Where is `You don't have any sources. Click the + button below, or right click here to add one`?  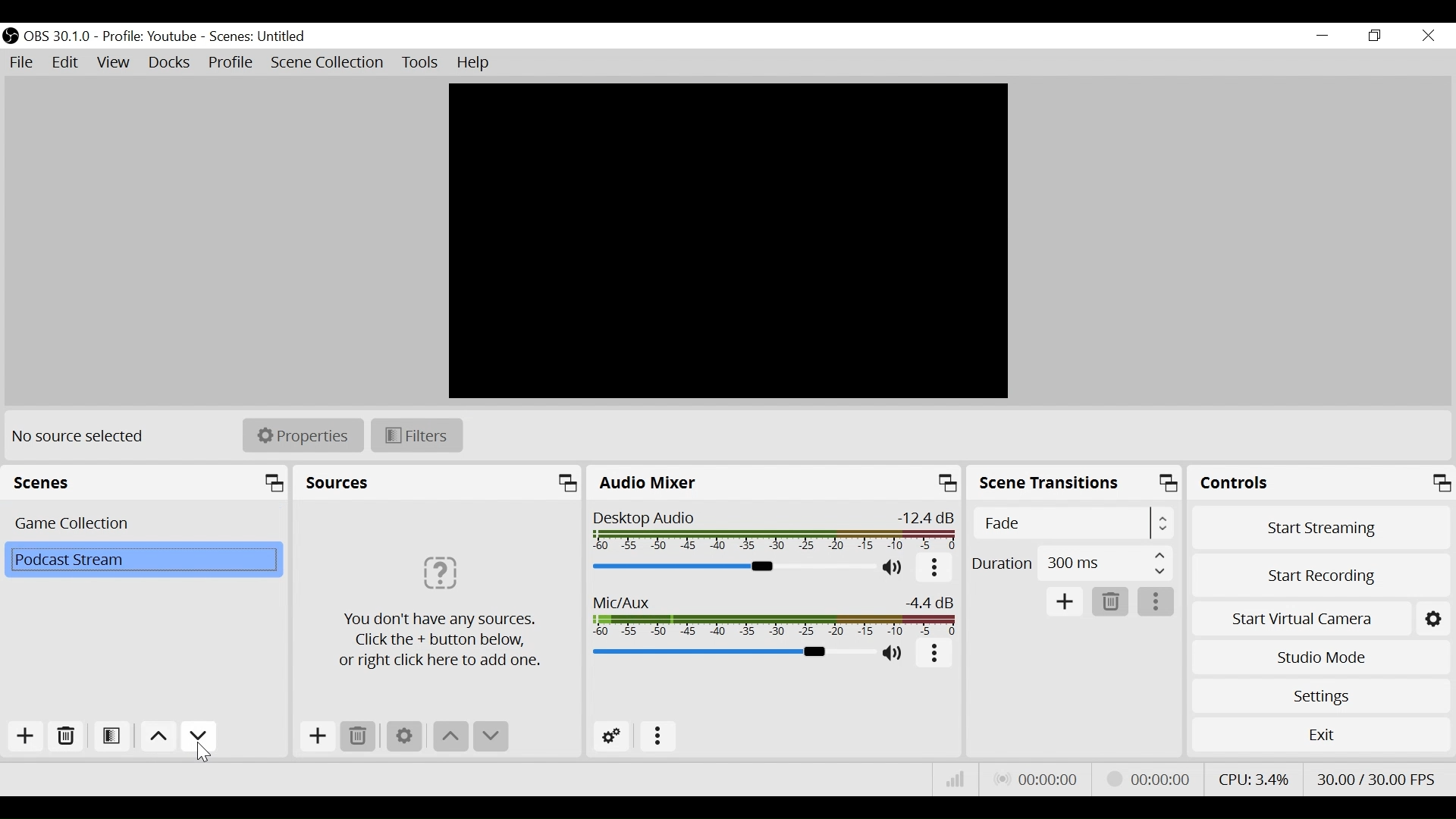
You don't have any sources. Click the + button below, or right click here to add one is located at coordinates (439, 607).